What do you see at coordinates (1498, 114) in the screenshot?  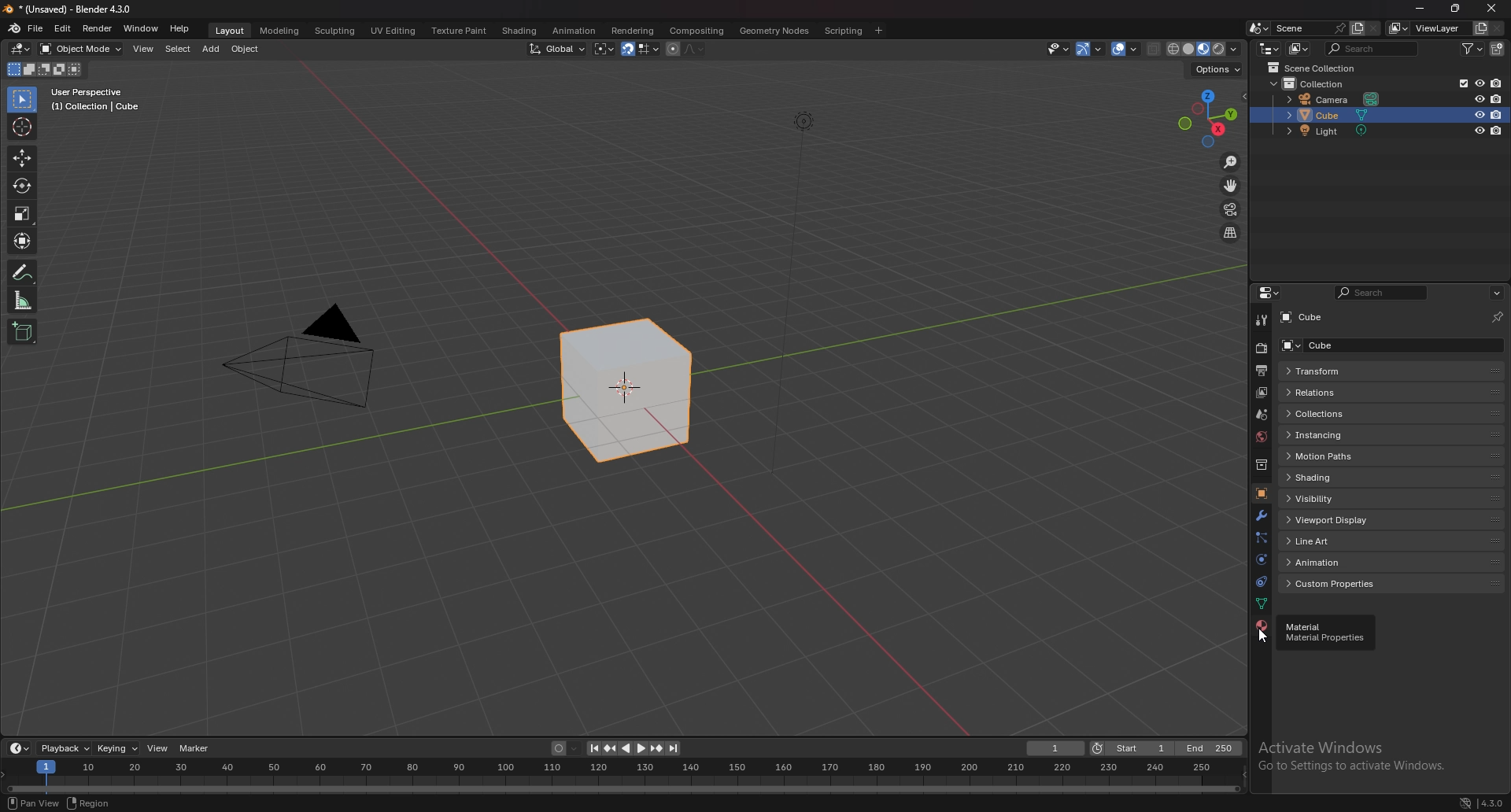 I see `disable in renders` at bounding box center [1498, 114].